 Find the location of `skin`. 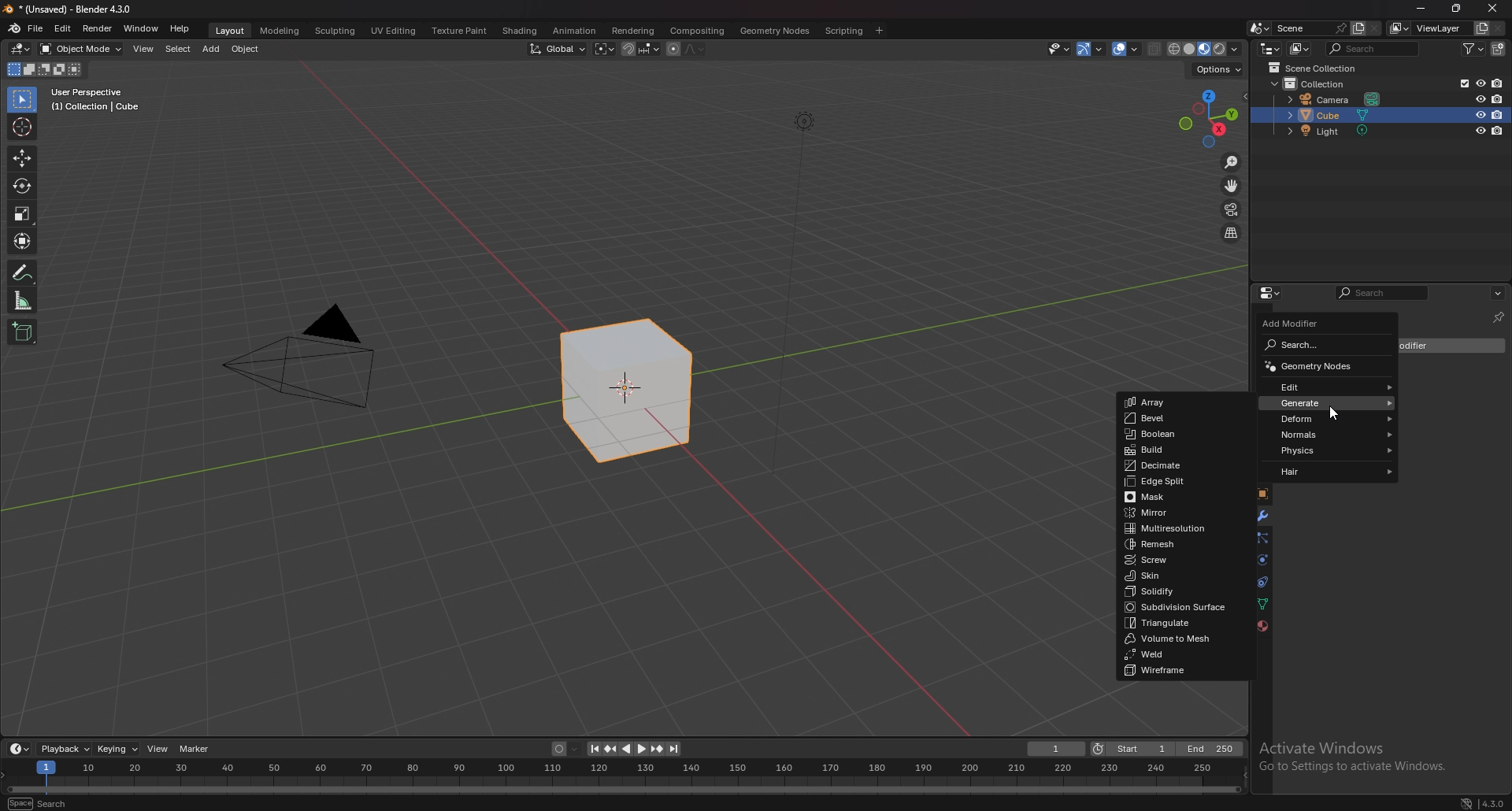

skin is located at coordinates (1180, 575).